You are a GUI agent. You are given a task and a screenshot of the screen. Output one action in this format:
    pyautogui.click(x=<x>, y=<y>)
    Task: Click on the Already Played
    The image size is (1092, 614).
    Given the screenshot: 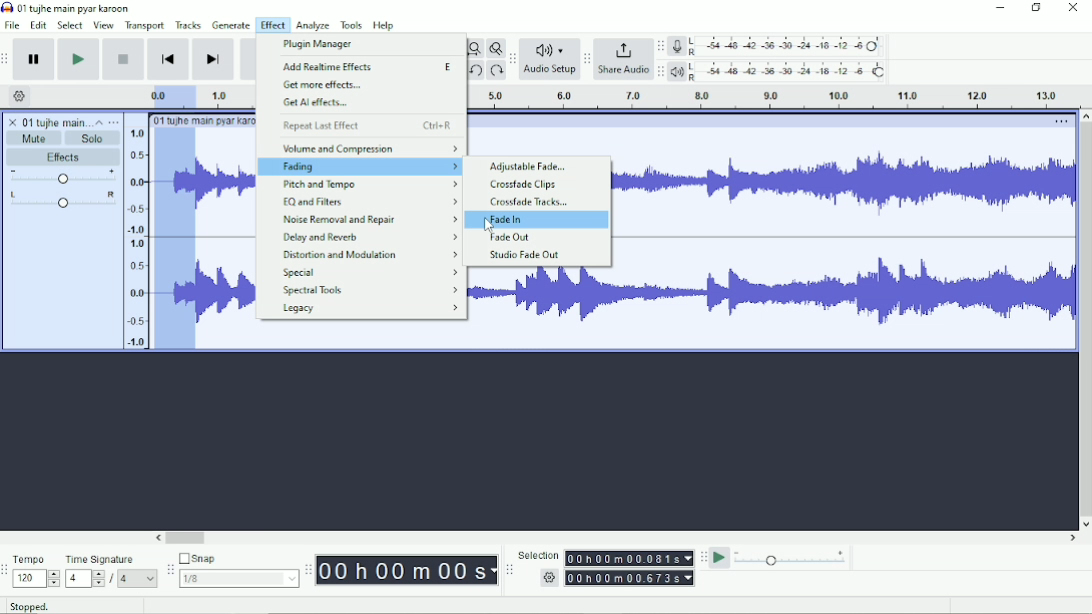 What is the action you would take?
    pyautogui.click(x=175, y=239)
    